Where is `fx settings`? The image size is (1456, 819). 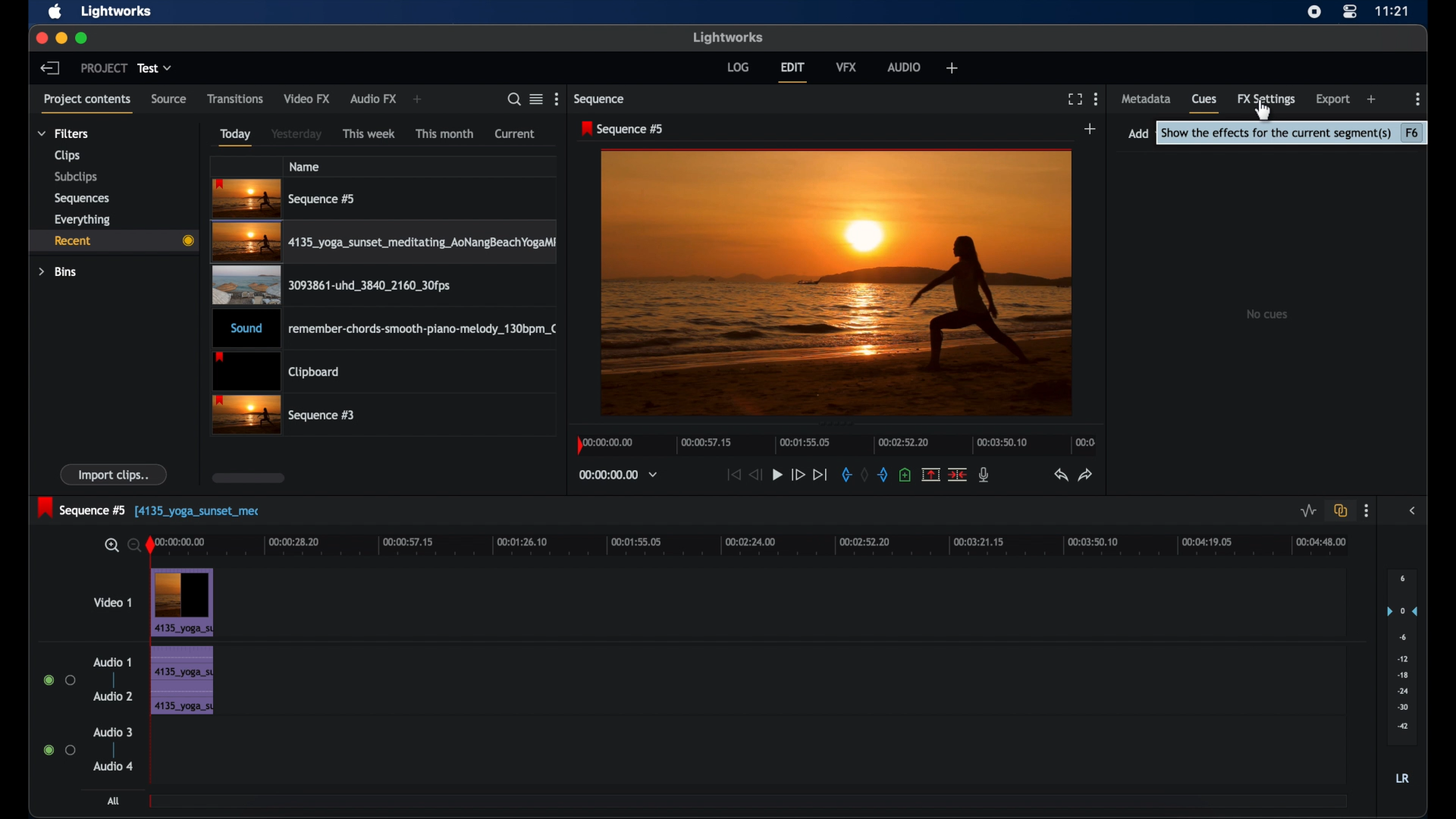 fx settings is located at coordinates (1266, 98).